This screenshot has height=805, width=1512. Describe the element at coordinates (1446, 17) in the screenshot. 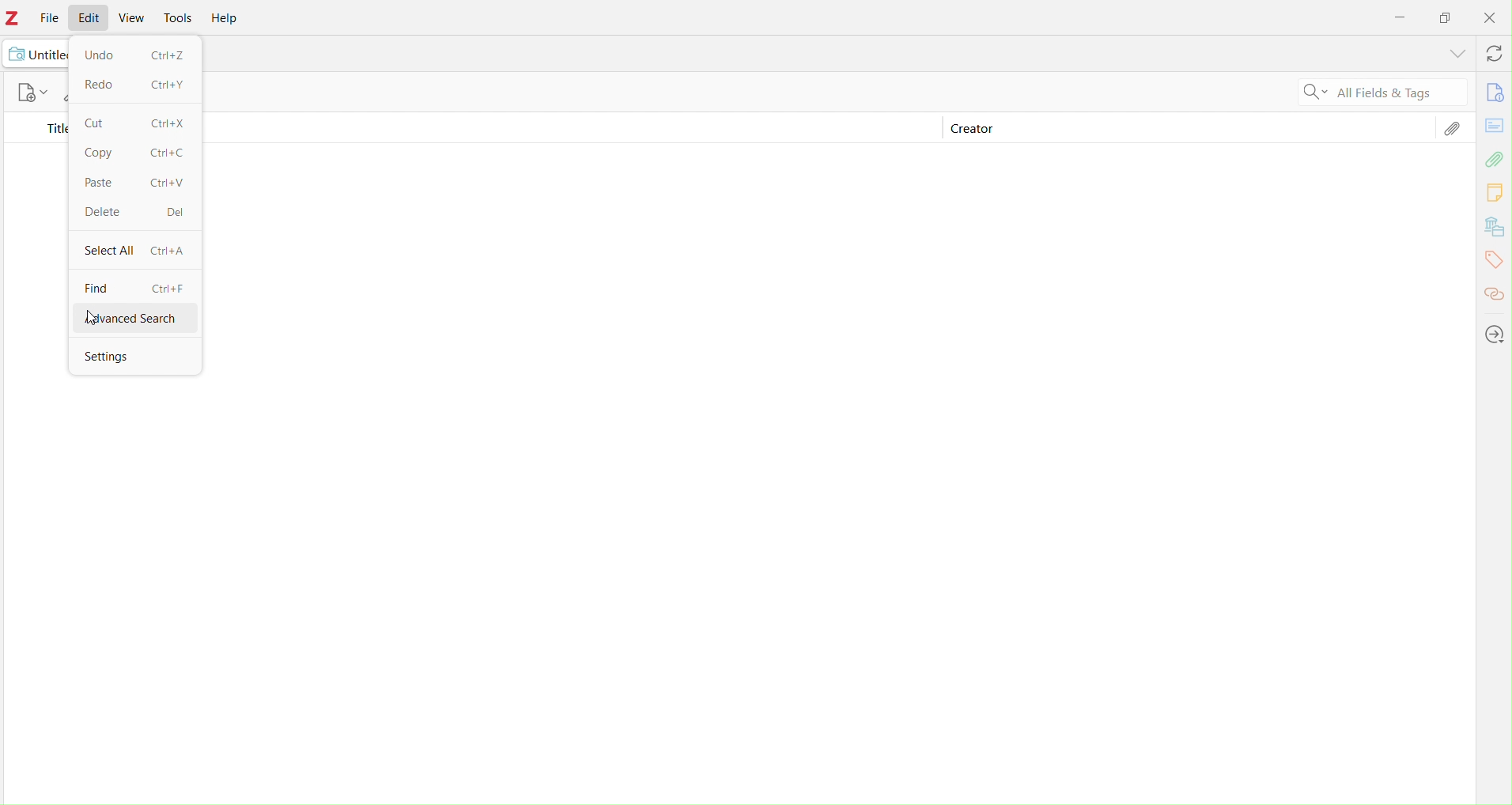

I see `Box` at that location.